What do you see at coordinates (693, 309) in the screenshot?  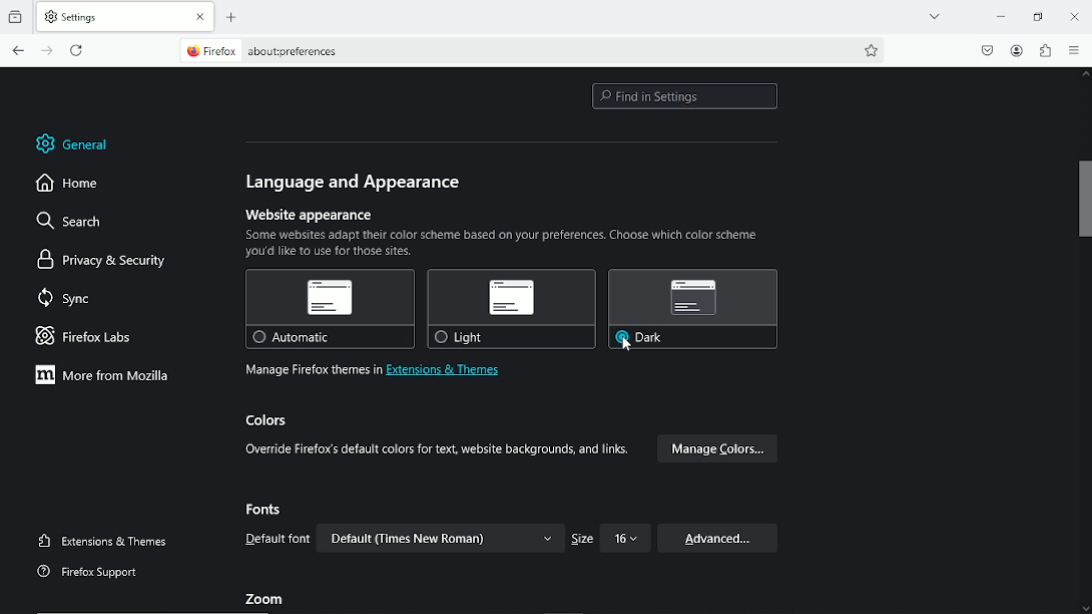 I see `Dark` at bounding box center [693, 309].